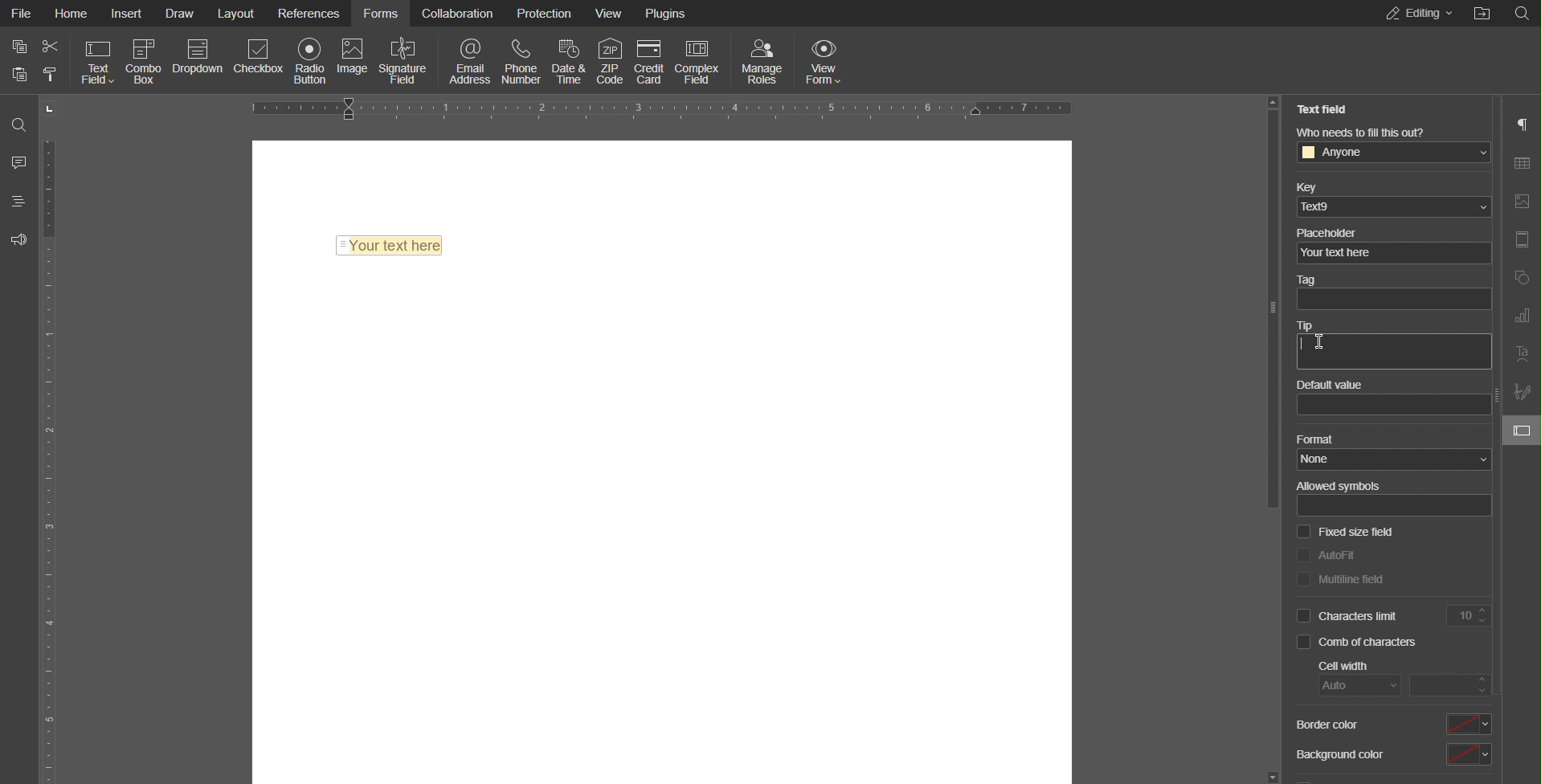 This screenshot has height=784, width=1541. I want to click on ted9, so click(1395, 209).